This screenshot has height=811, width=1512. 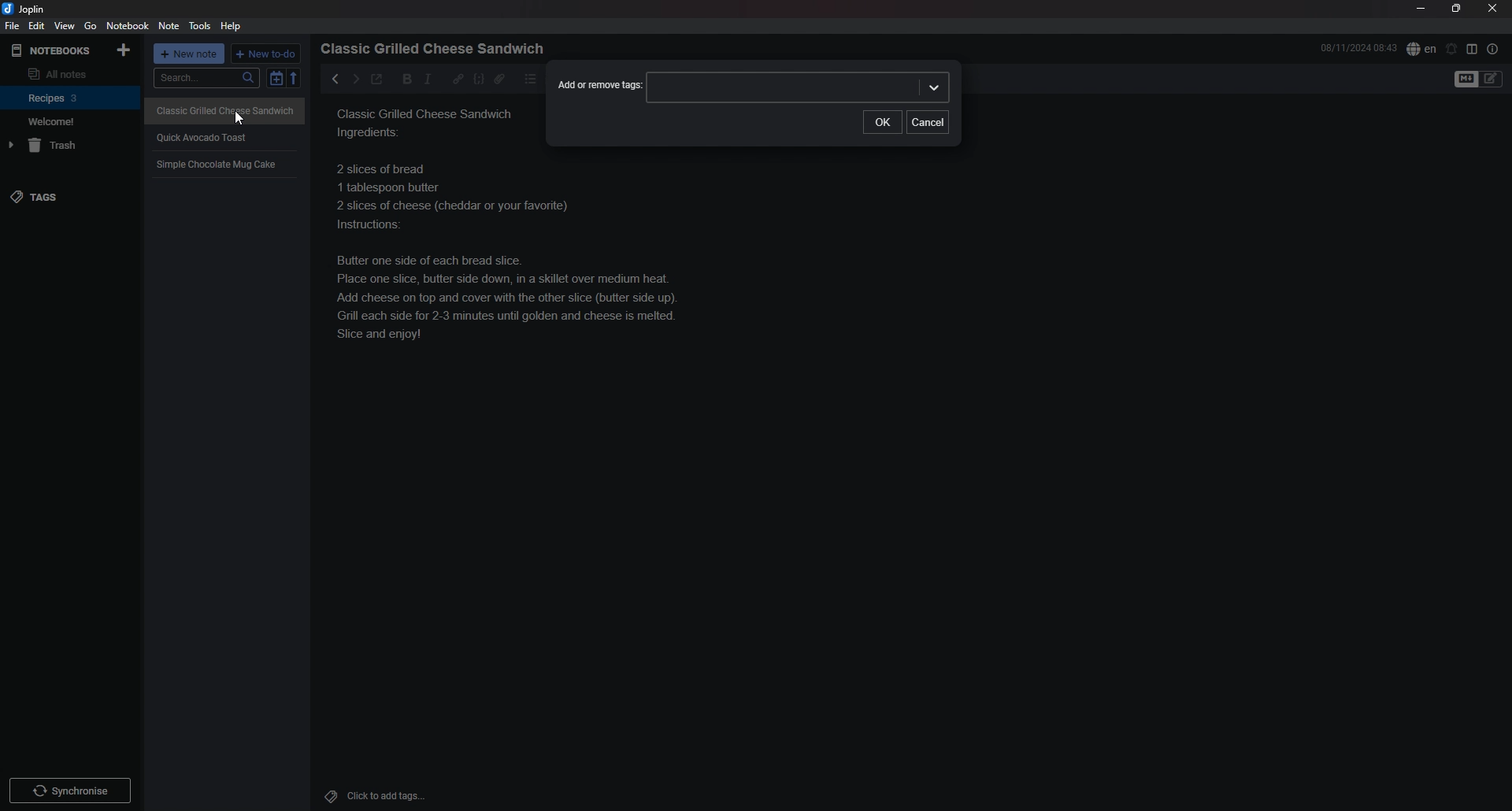 What do you see at coordinates (428, 79) in the screenshot?
I see `italic` at bounding box center [428, 79].